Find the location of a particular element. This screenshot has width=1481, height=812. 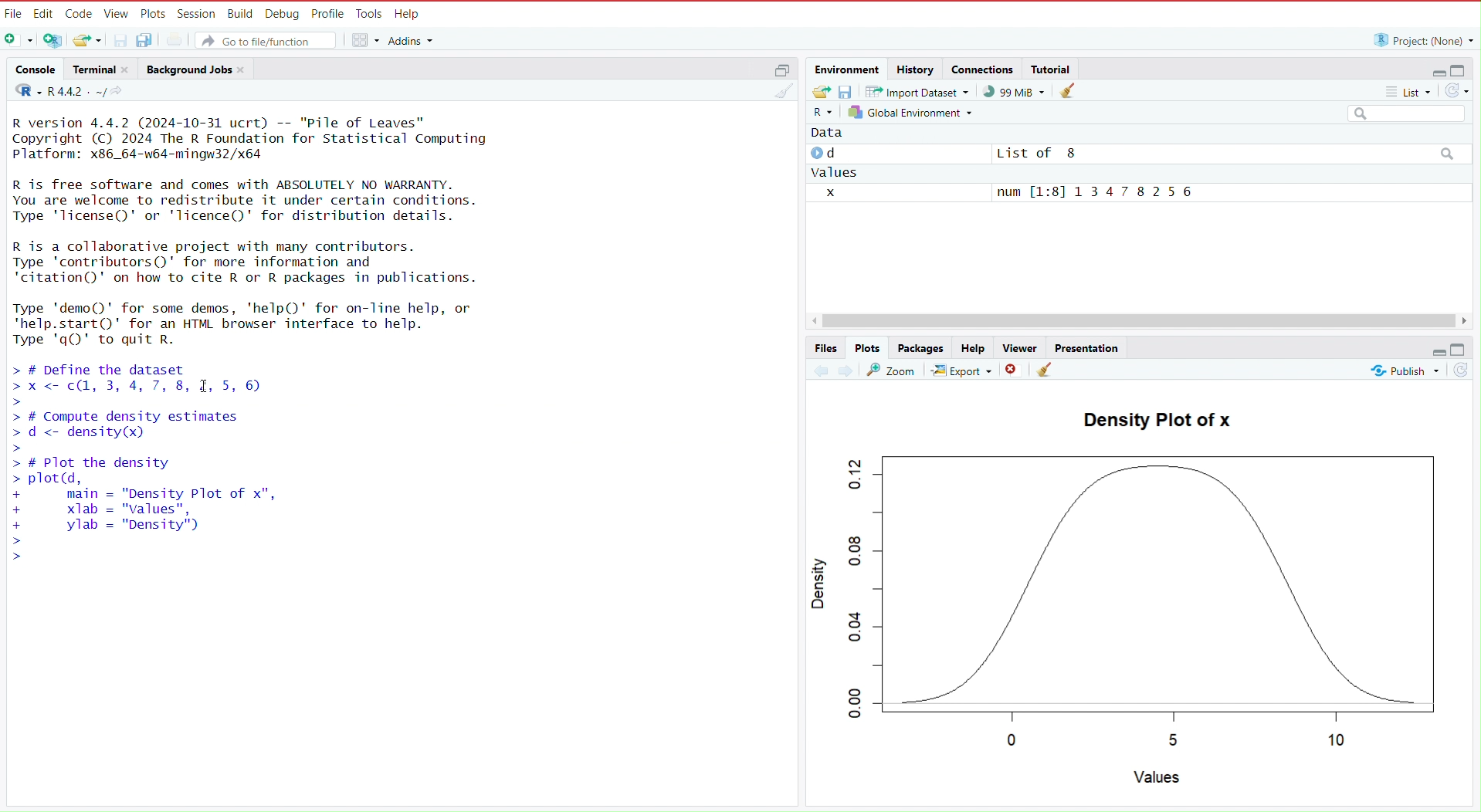

Type 'demo()' for some demos, 'help()' for on-line help, or
'help.start()' for an HTML browser interface to help.
Type 'q()' to quit R. is located at coordinates (256, 323).